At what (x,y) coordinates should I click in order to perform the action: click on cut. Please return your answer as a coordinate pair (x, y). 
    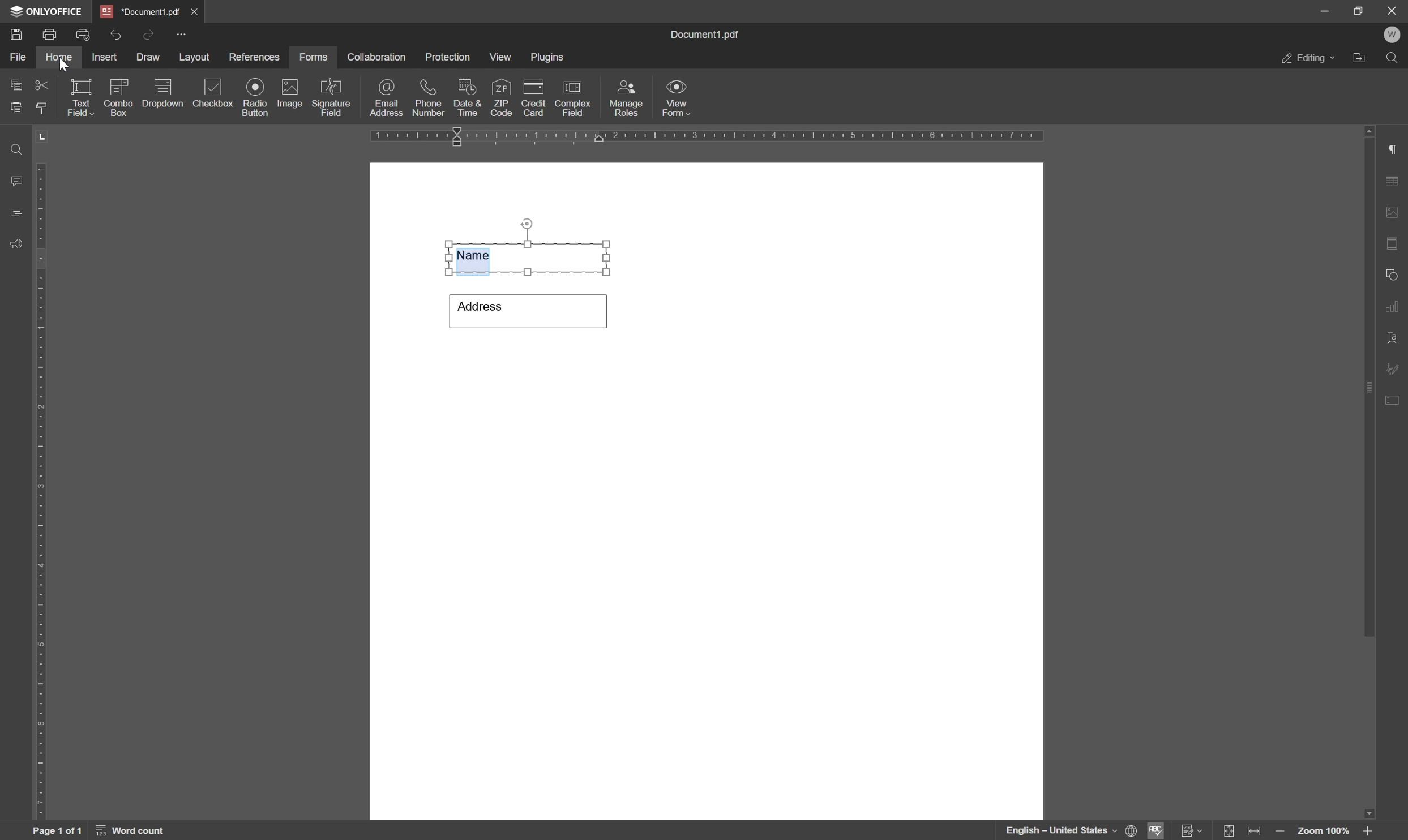
    Looking at the image, I should click on (41, 84).